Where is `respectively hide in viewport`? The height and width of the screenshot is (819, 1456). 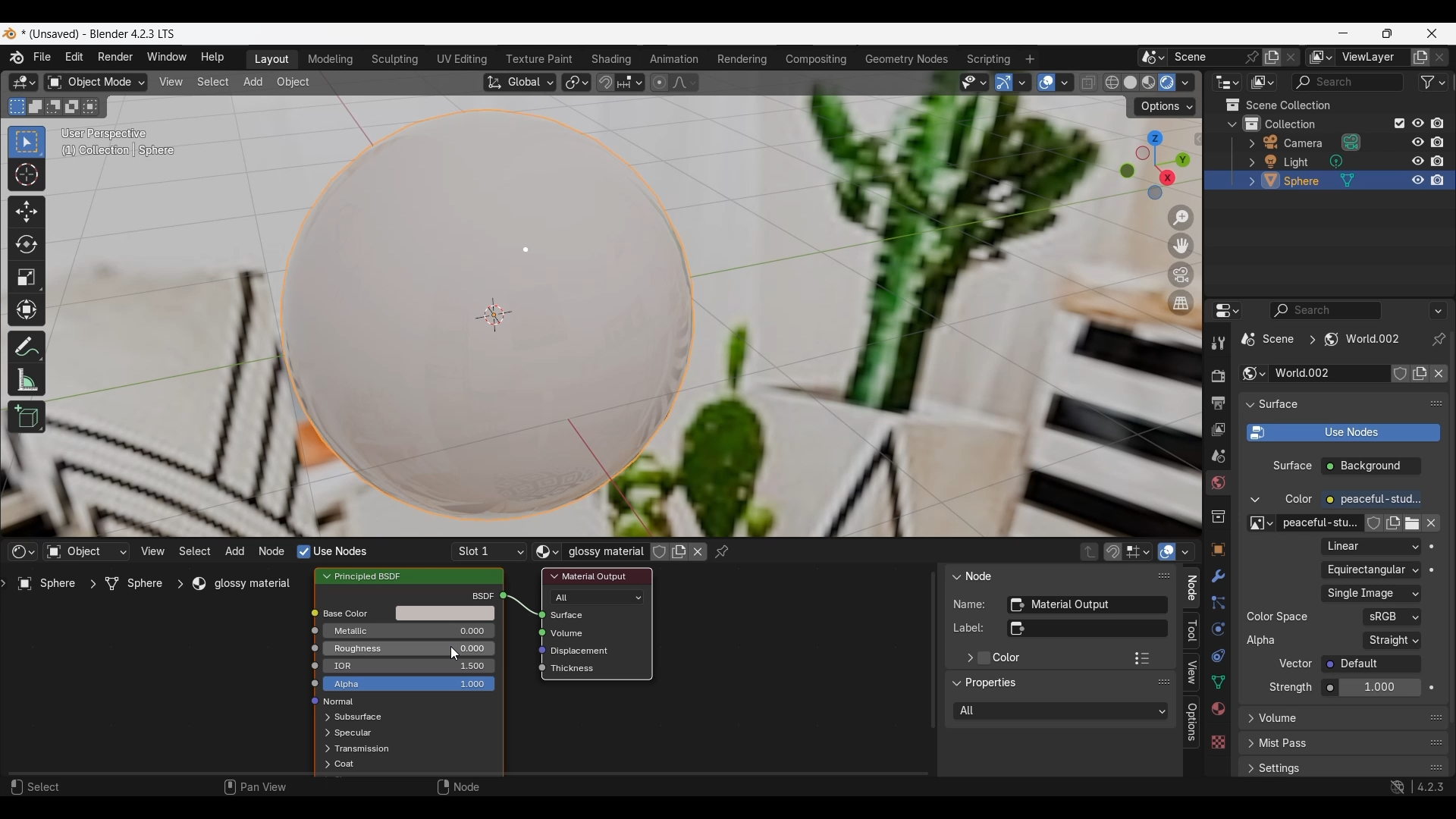
respectively hide in viewport is located at coordinates (1417, 141).